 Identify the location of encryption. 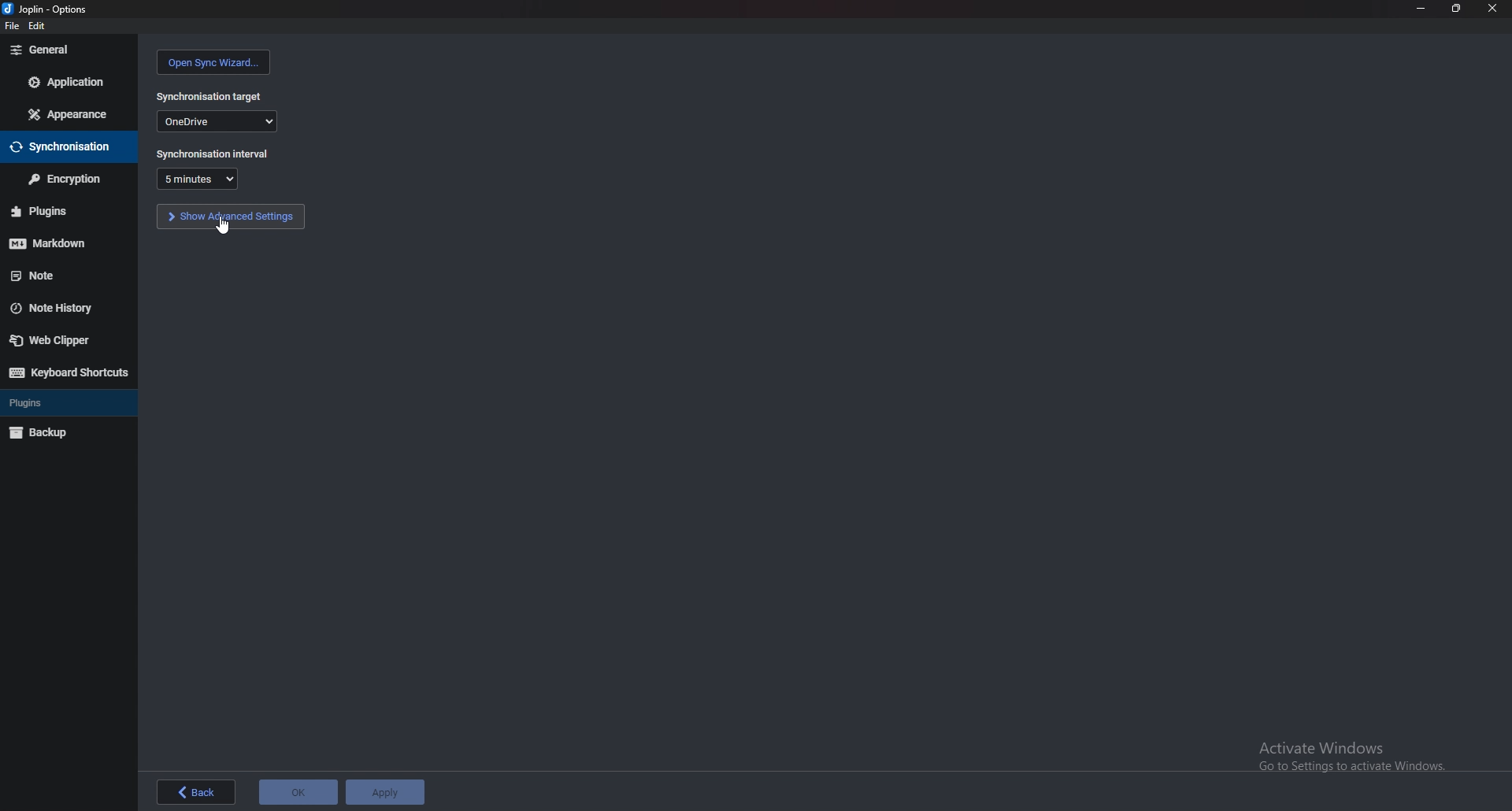
(63, 180).